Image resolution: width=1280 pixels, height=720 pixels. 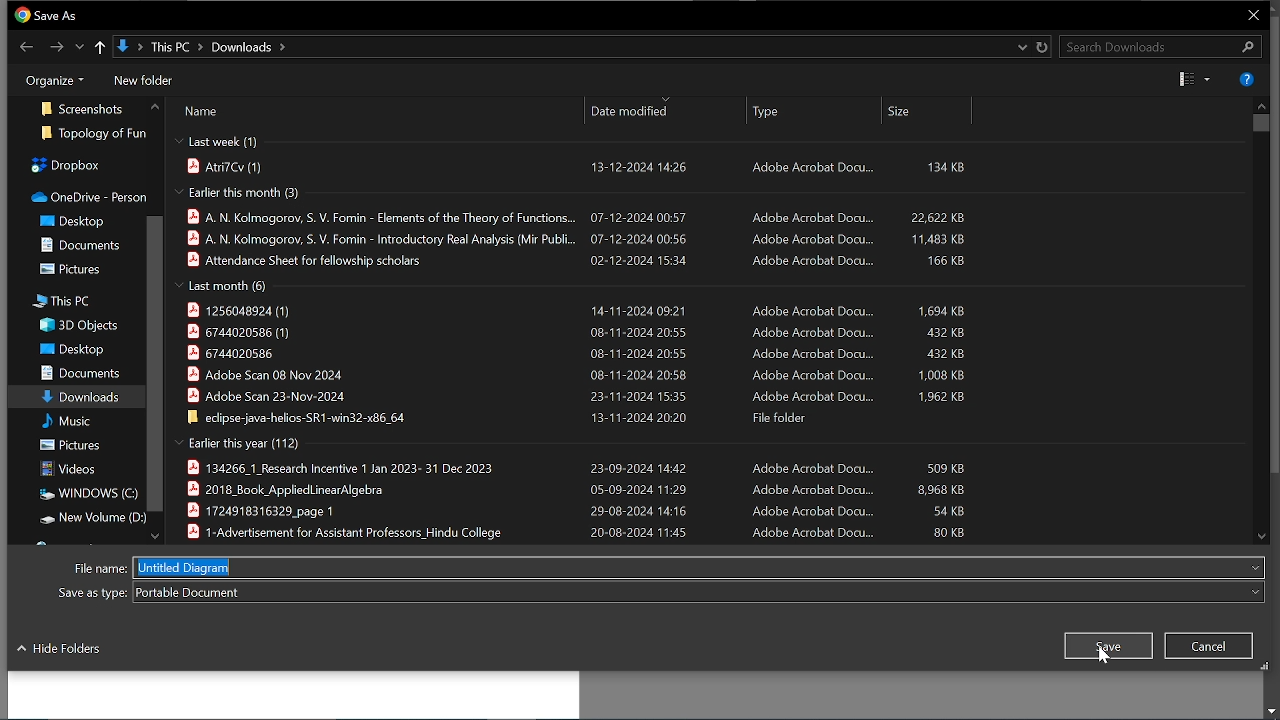 I want to click on Move down folders, so click(x=154, y=537).